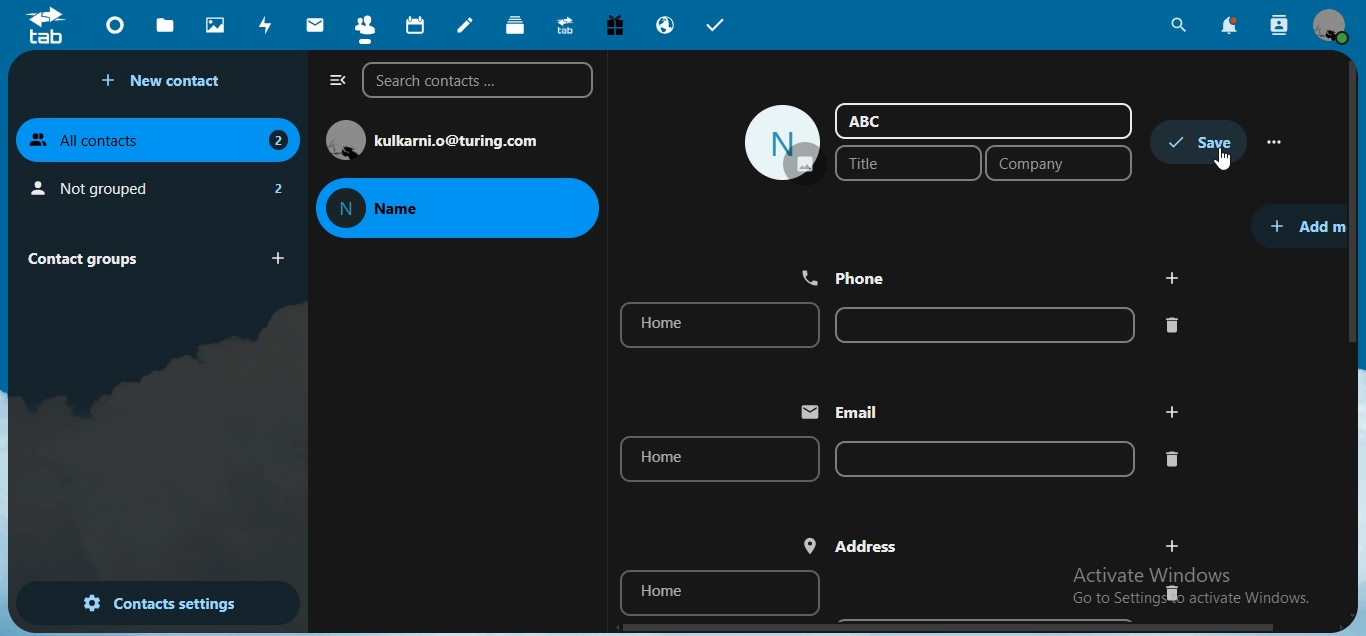 Image resolution: width=1366 pixels, height=636 pixels. Describe the element at coordinates (156, 185) in the screenshot. I see `not grouped` at that location.